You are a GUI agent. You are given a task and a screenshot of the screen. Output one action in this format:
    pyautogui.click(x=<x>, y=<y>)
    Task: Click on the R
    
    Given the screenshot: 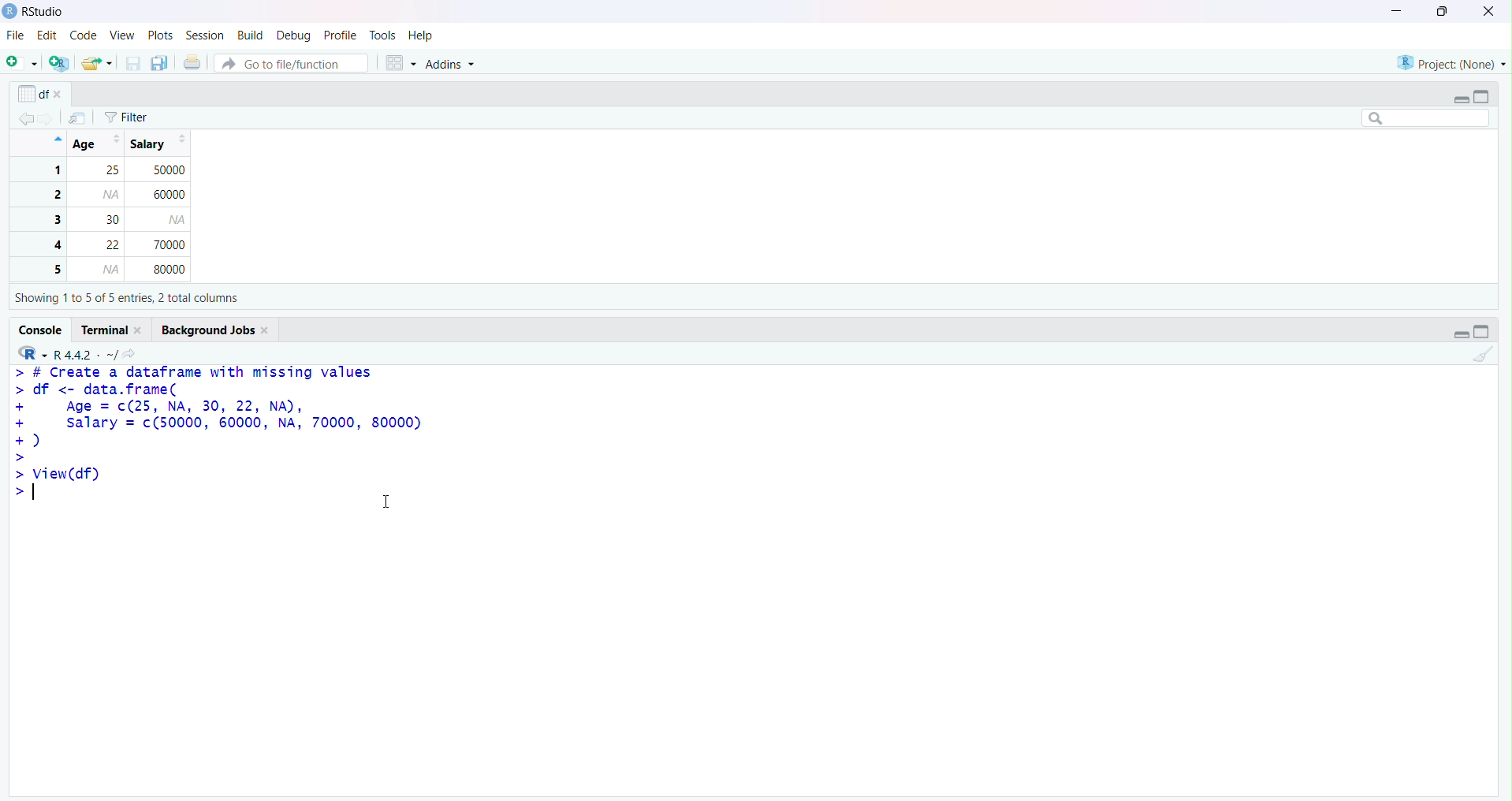 What is the action you would take?
    pyautogui.click(x=29, y=351)
    